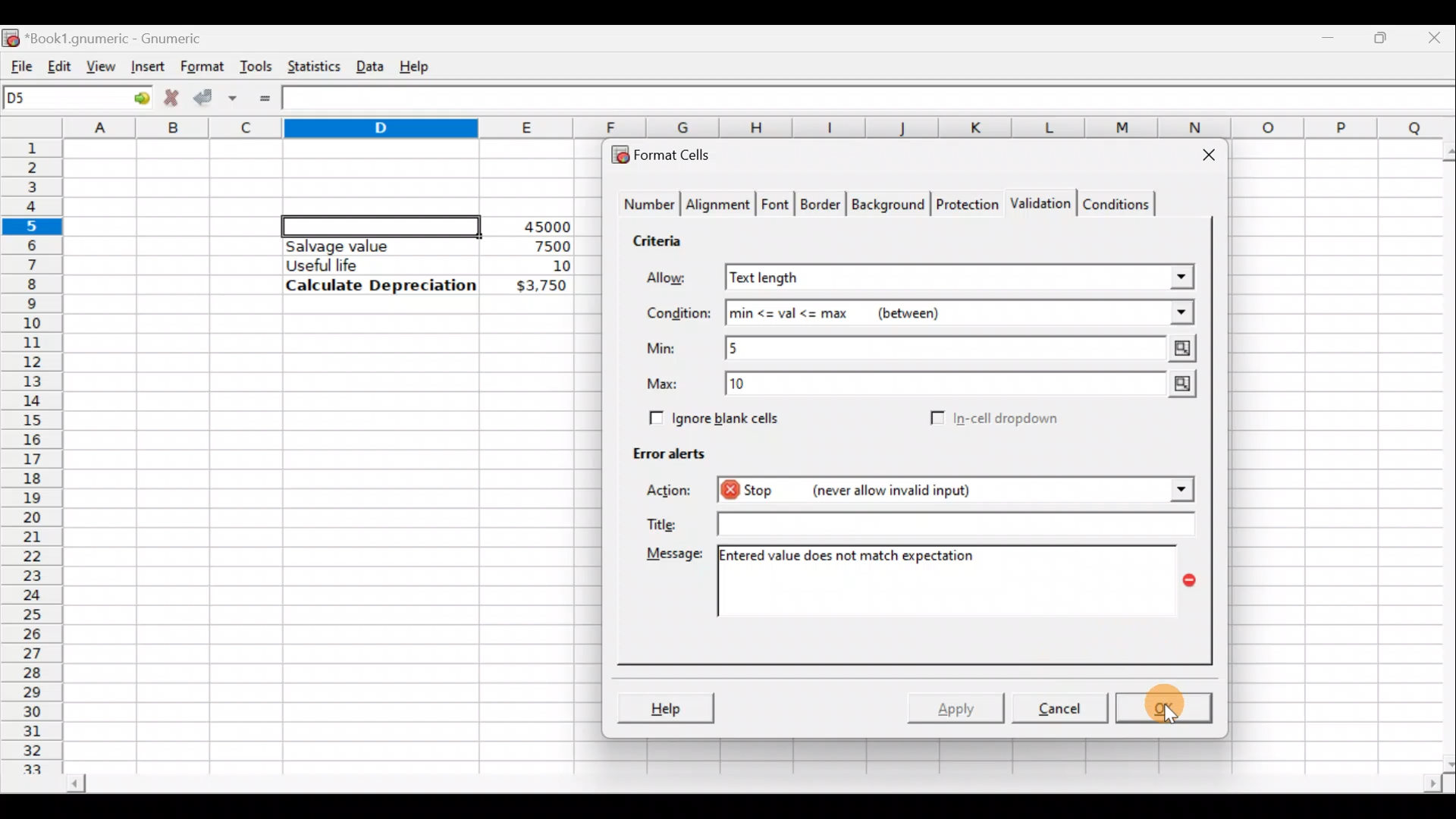 Image resolution: width=1456 pixels, height=819 pixels. What do you see at coordinates (528, 245) in the screenshot?
I see `7500` at bounding box center [528, 245].